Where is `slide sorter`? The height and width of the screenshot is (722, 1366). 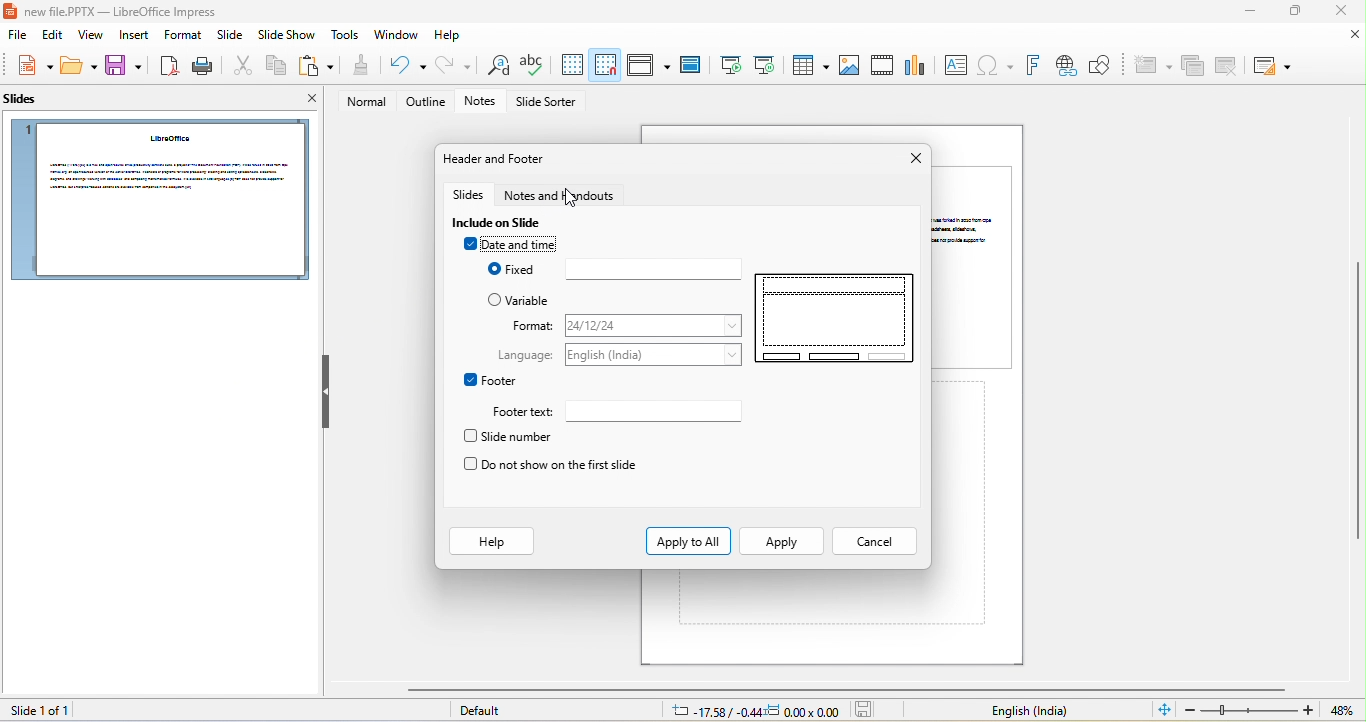 slide sorter is located at coordinates (549, 103).